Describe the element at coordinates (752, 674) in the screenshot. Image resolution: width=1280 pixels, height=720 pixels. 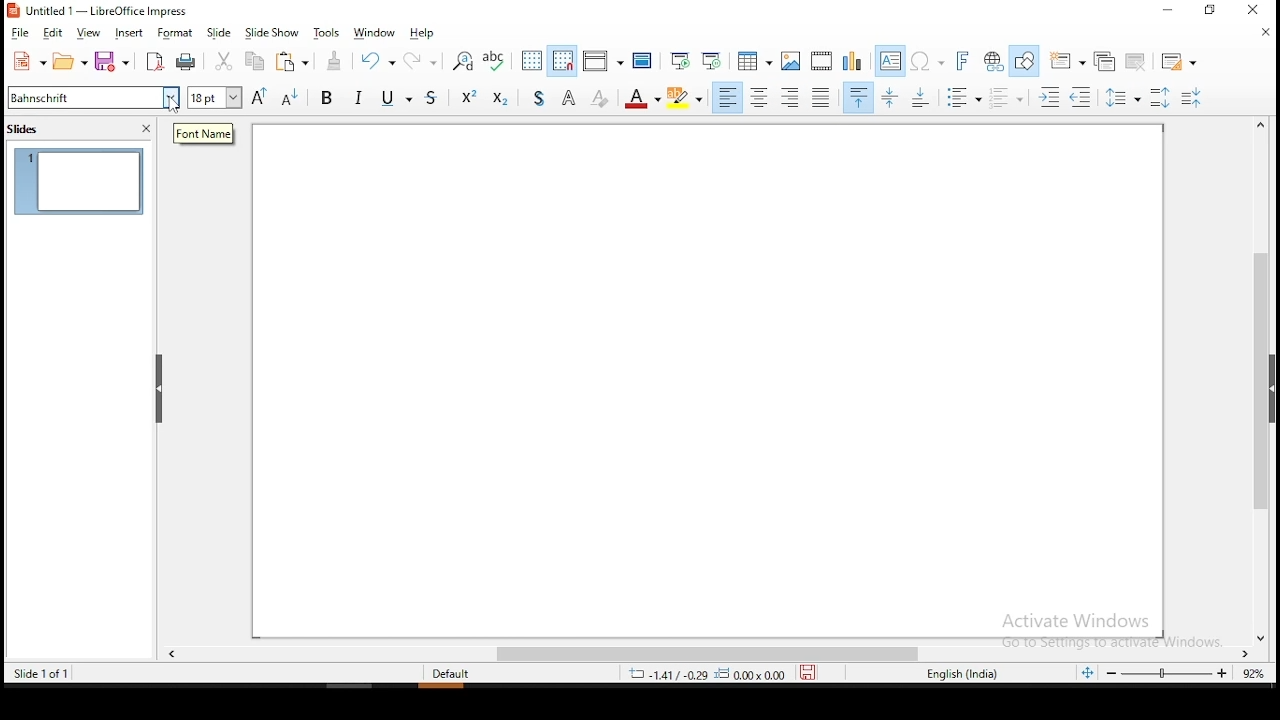
I see `0.00x0.00` at that location.